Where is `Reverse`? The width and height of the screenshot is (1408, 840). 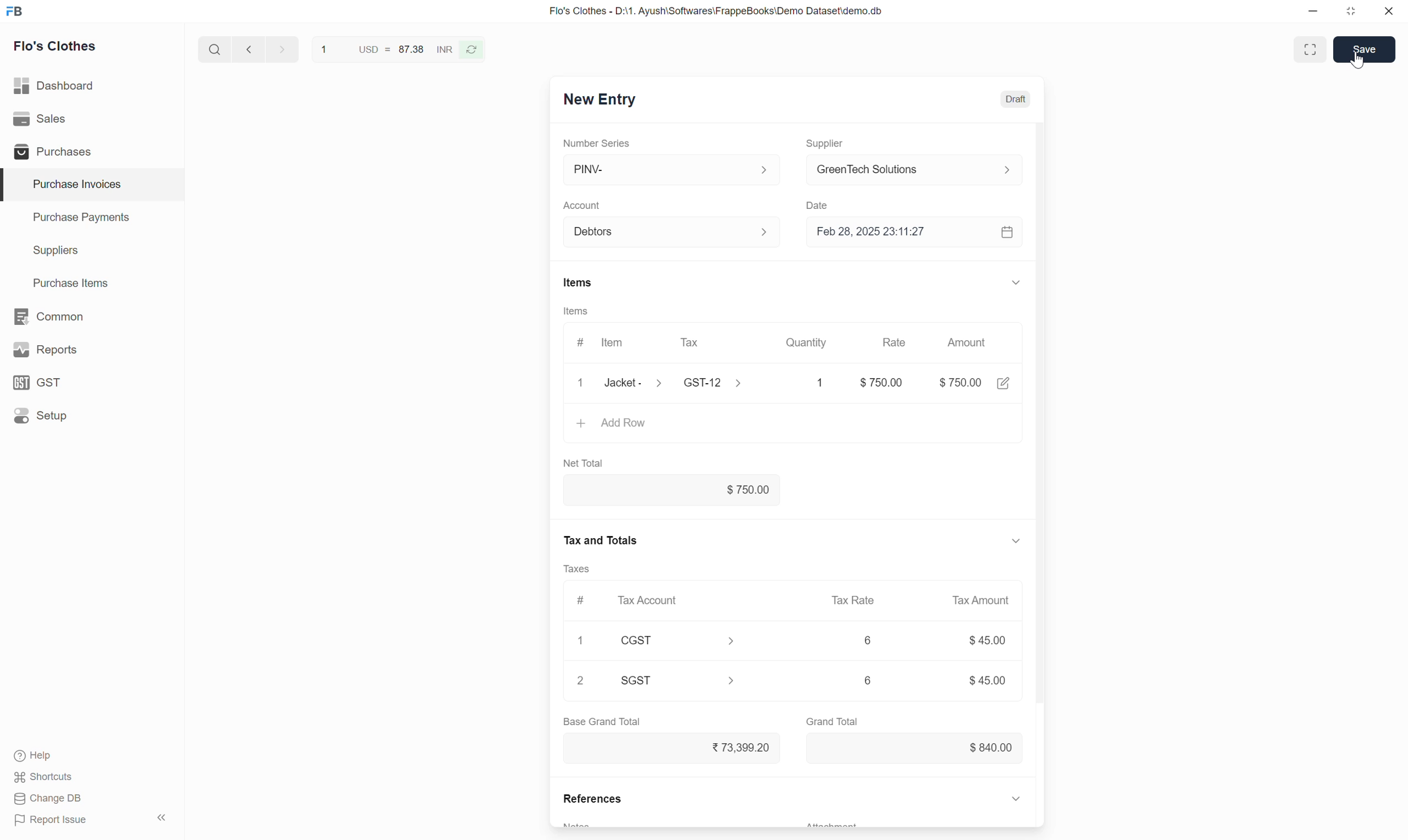
Reverse is located at coordinates (470, 50).